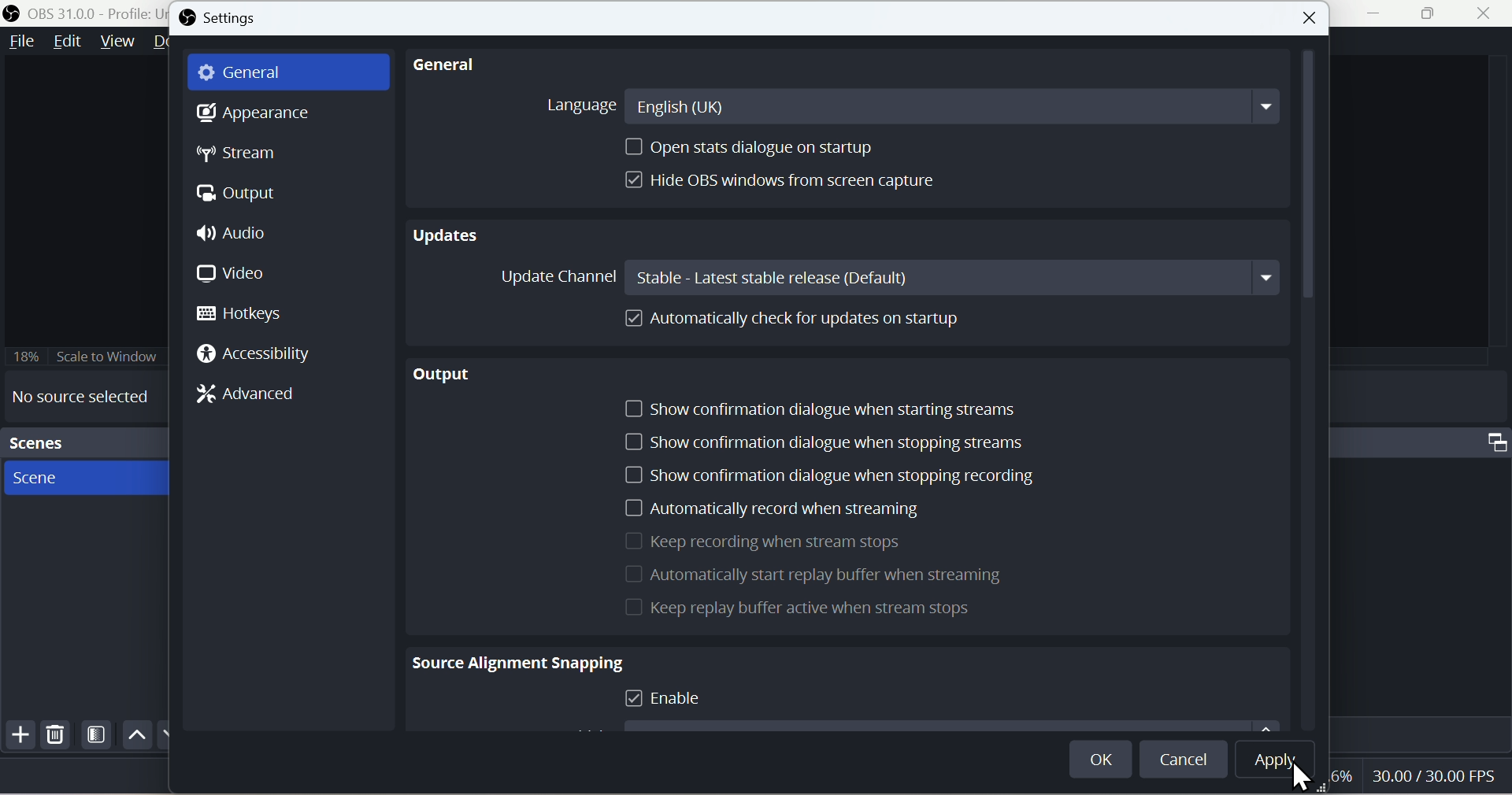 This screenshot has height=795, width=1512. I want to click on Keep recording when it streams stops, so click(765, 541).